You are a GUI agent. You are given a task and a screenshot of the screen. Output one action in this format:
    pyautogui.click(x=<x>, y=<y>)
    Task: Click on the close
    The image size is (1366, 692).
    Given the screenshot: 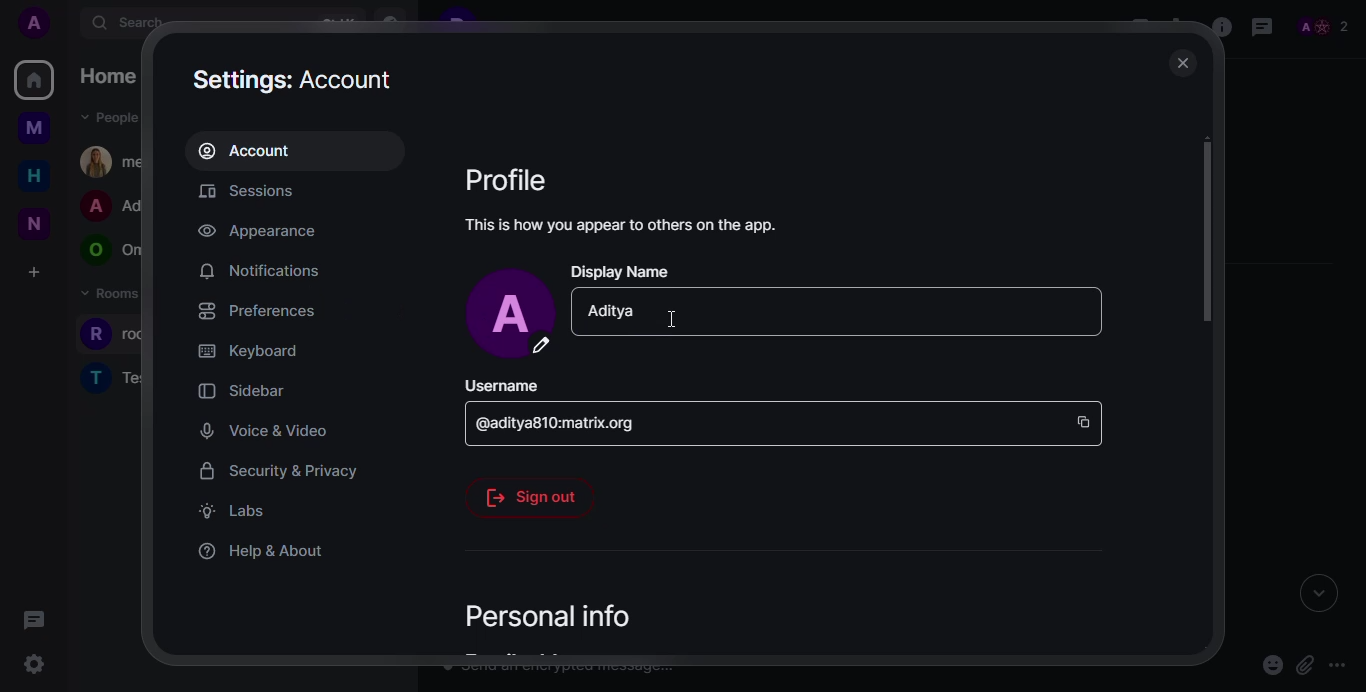 What is the action you would take?
    pyautogui.click(x=1183, y=61)
    